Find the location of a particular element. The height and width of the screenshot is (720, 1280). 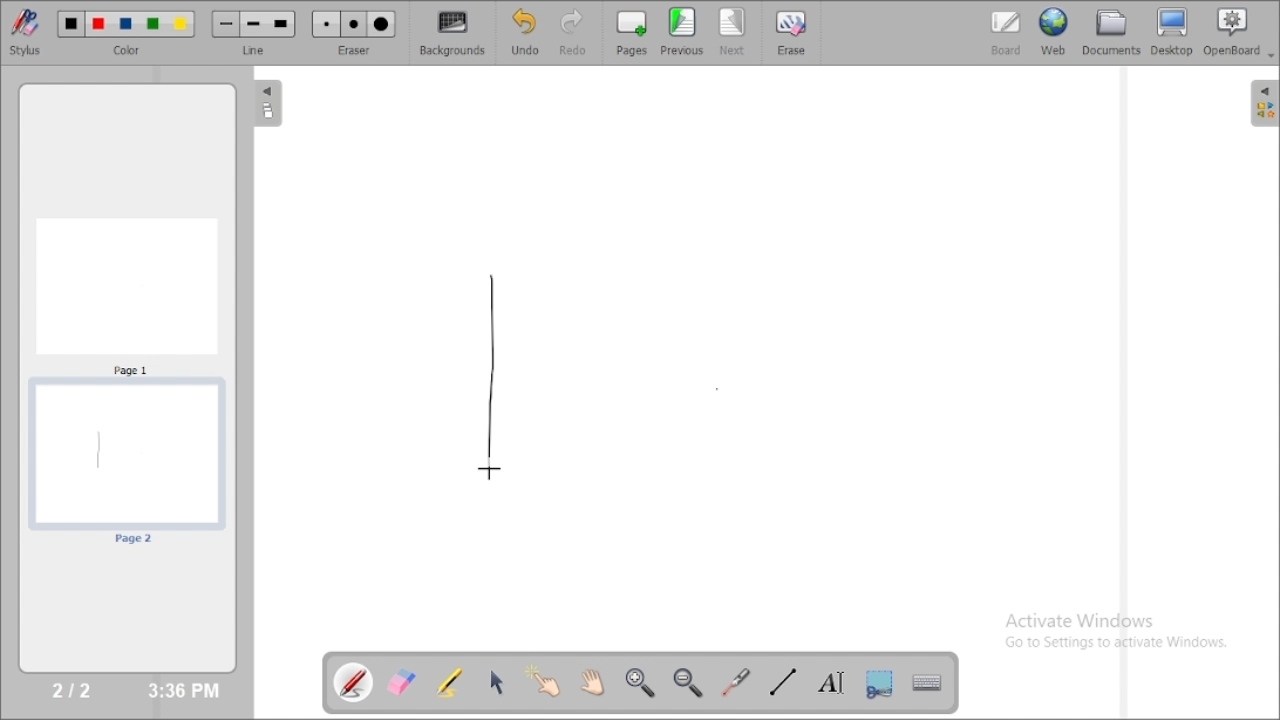

Activate Windows
Go to Settings to activate Windows. is located at coordinates (1122, 634).